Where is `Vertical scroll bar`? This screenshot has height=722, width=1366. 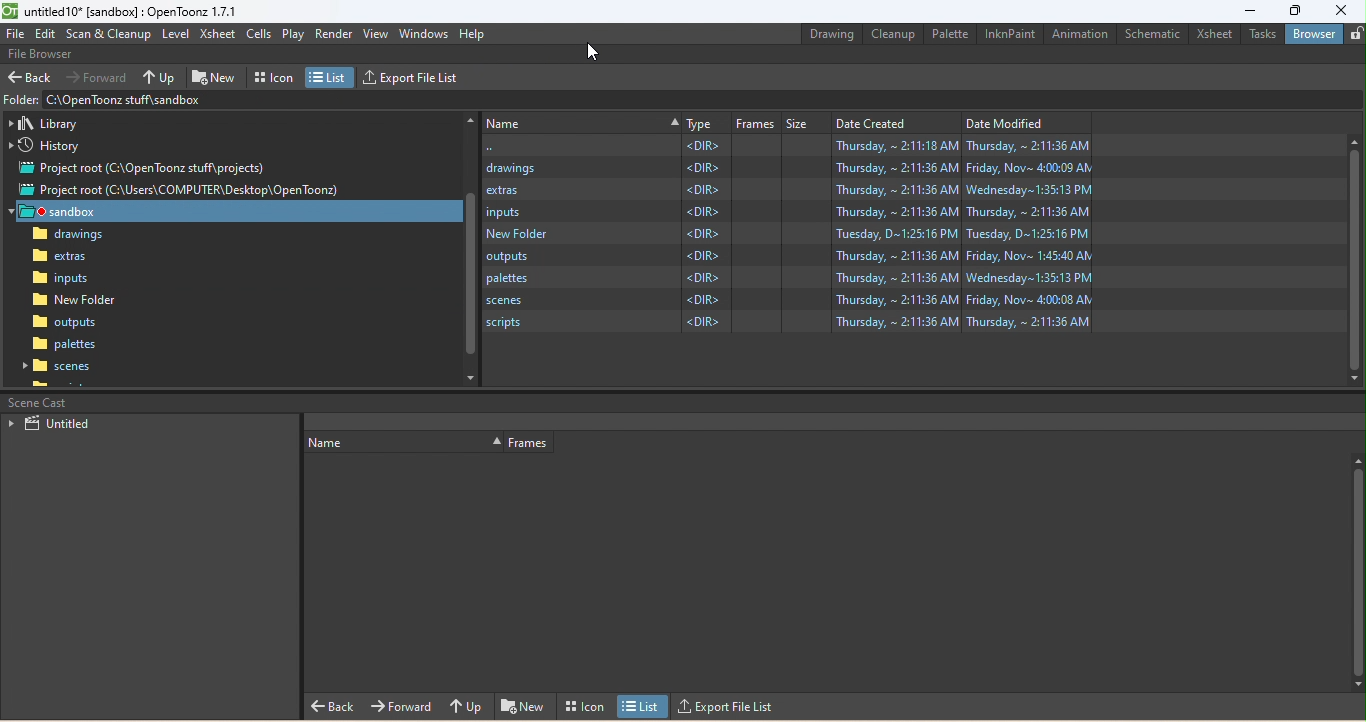
Vertical scroll bar is located at coordinates (471, 249).